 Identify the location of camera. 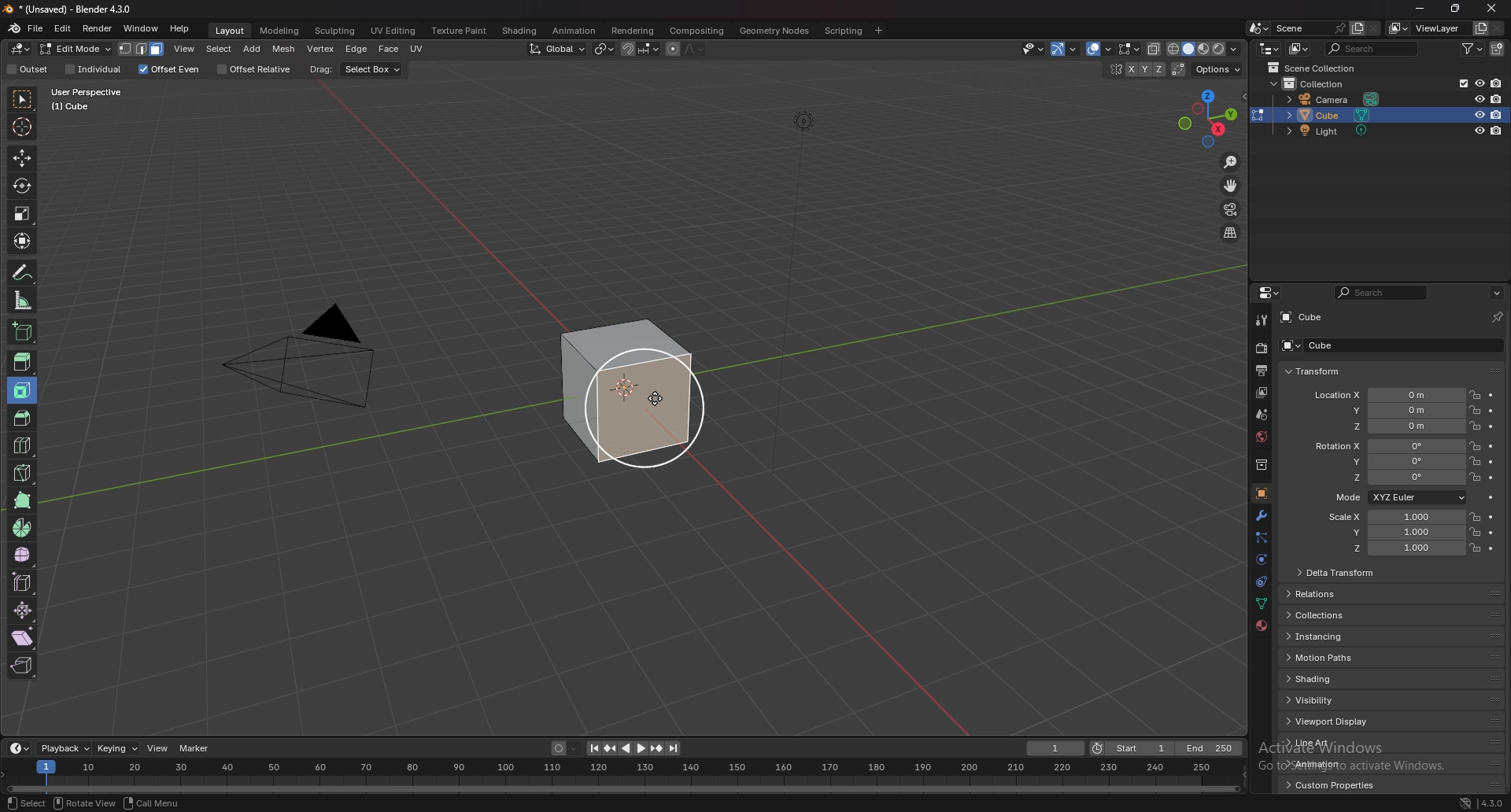
(1335, 99).